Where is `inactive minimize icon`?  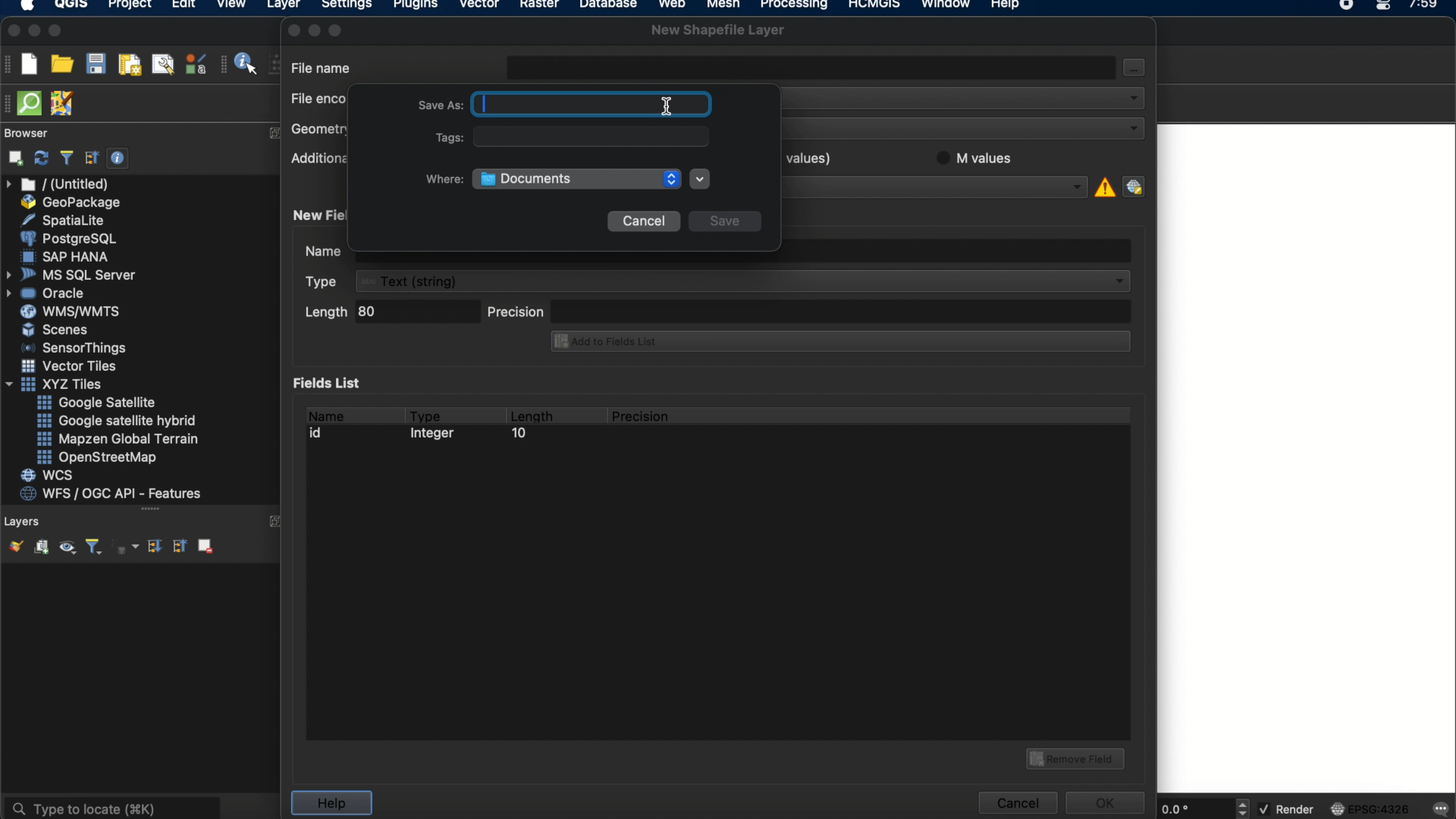
inactive minimize icon is located at coordinates (315, 30).